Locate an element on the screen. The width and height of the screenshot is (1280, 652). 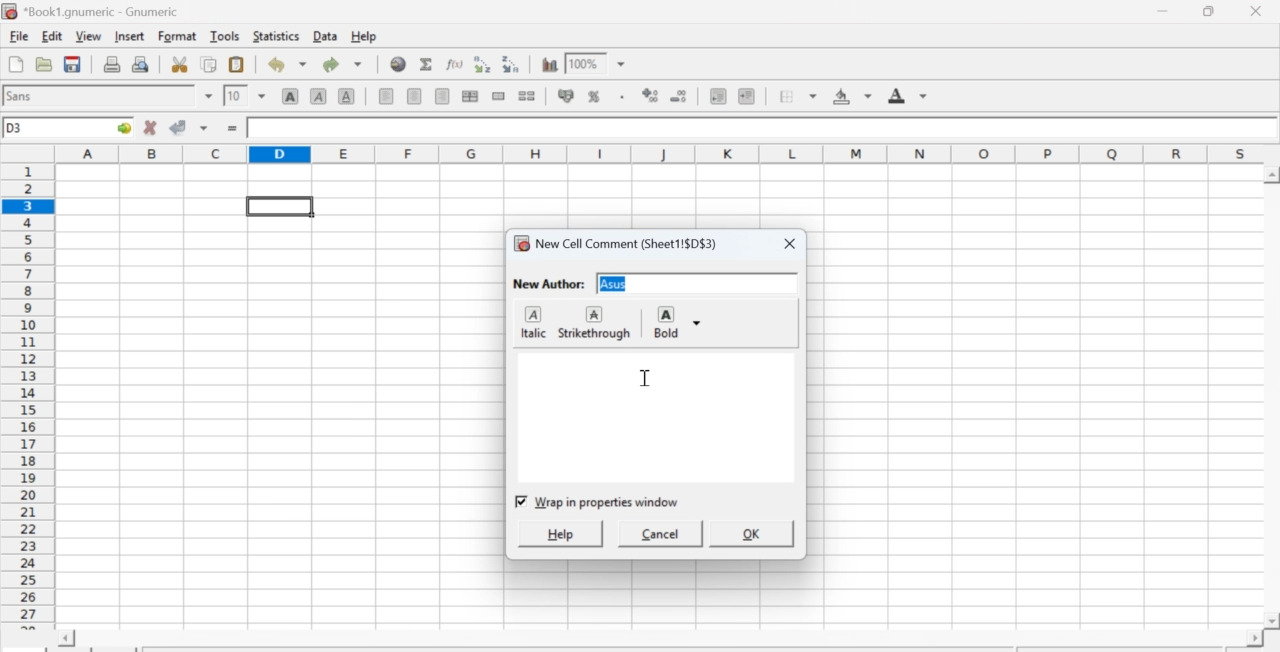
numbering column is located at coordinates (30, 396).